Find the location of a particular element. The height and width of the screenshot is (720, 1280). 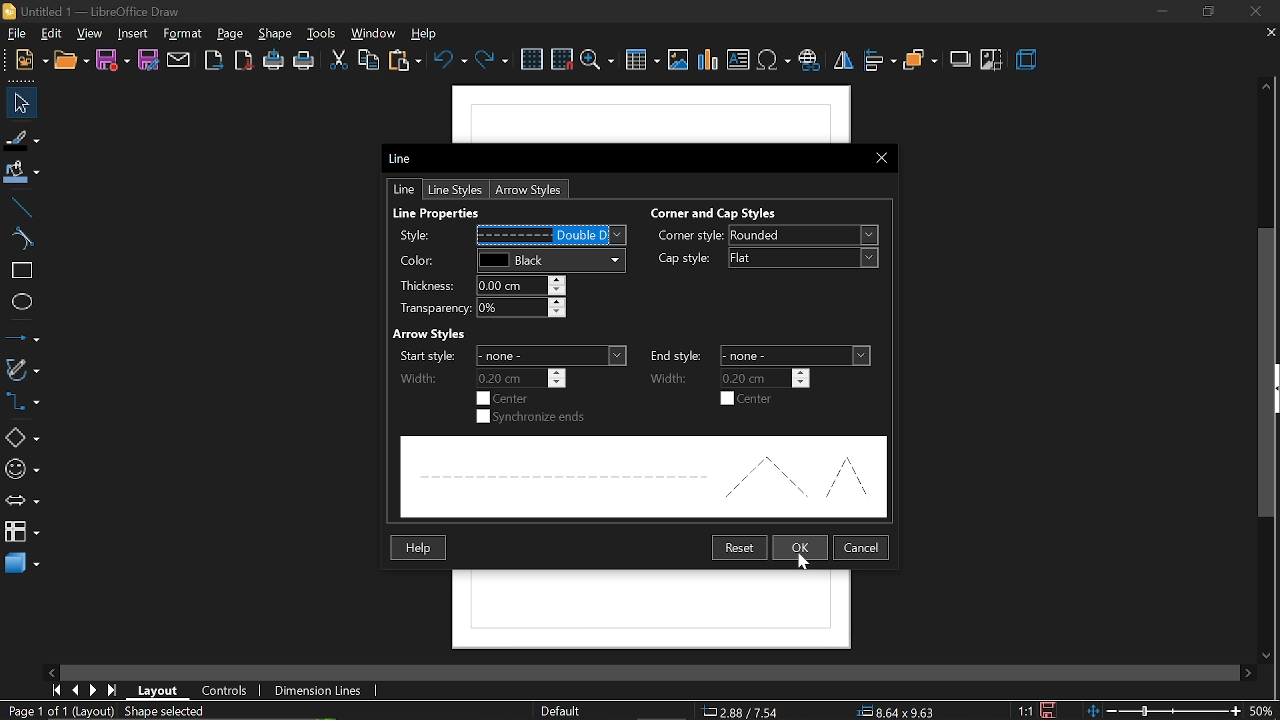

Arrow Styles is located at coordinates (440, 332).